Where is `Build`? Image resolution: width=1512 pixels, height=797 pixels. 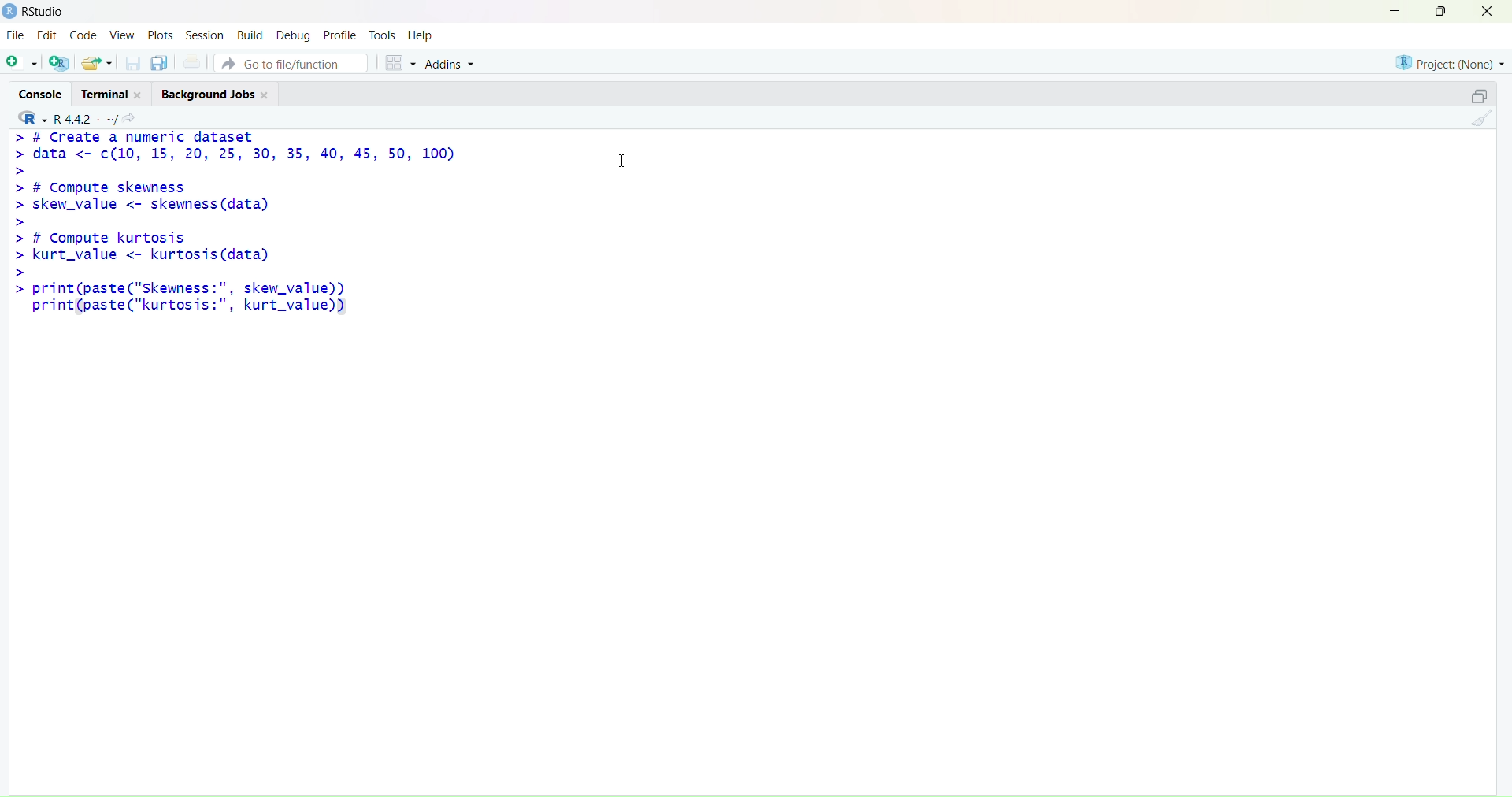
Build is located at coordinates (250, 34).